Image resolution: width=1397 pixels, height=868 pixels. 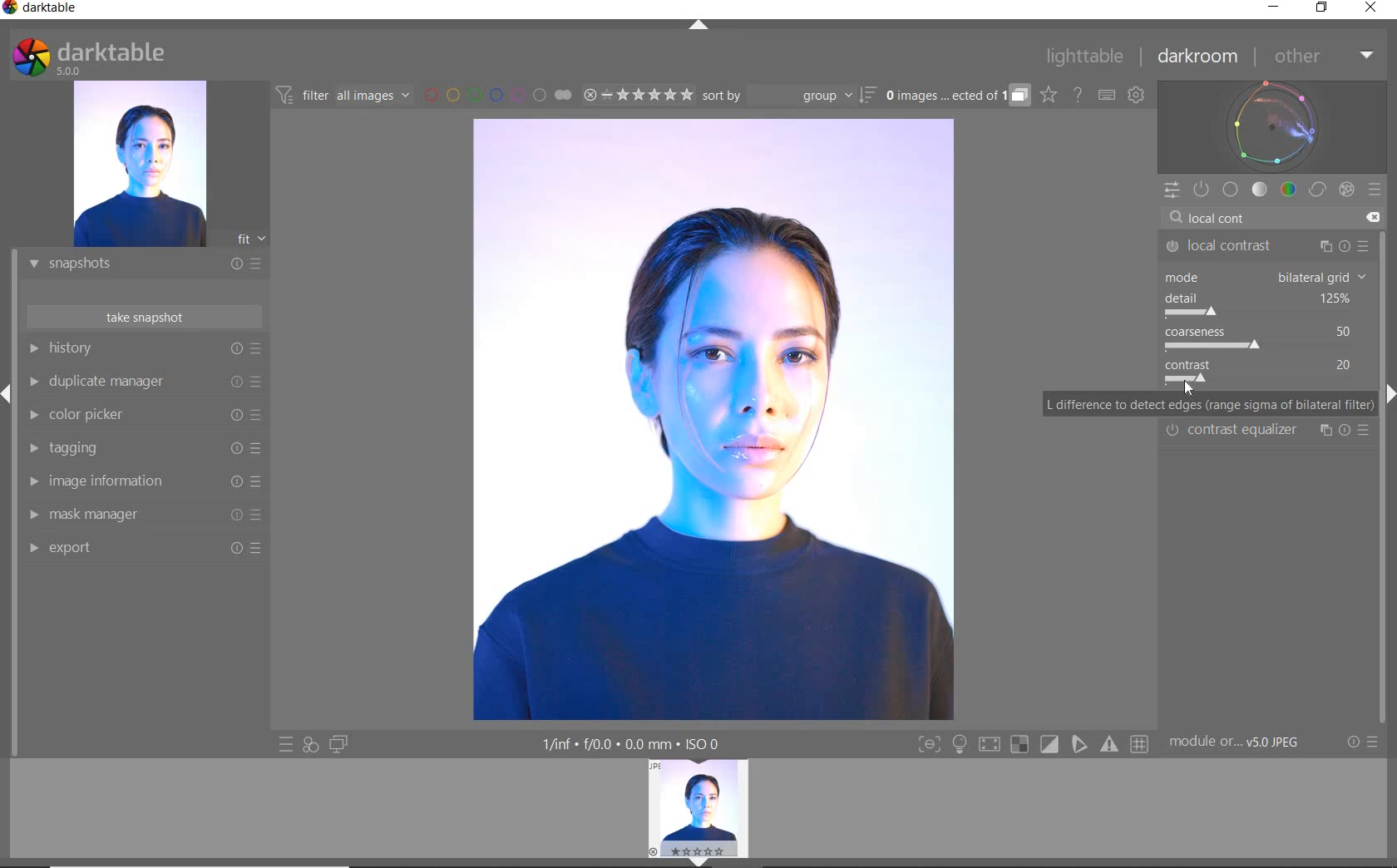 What do you see at coordinates (143, 382) in the screenshot?
I see `DUPLICATE MANAGER` at bounding box center [143, 382].